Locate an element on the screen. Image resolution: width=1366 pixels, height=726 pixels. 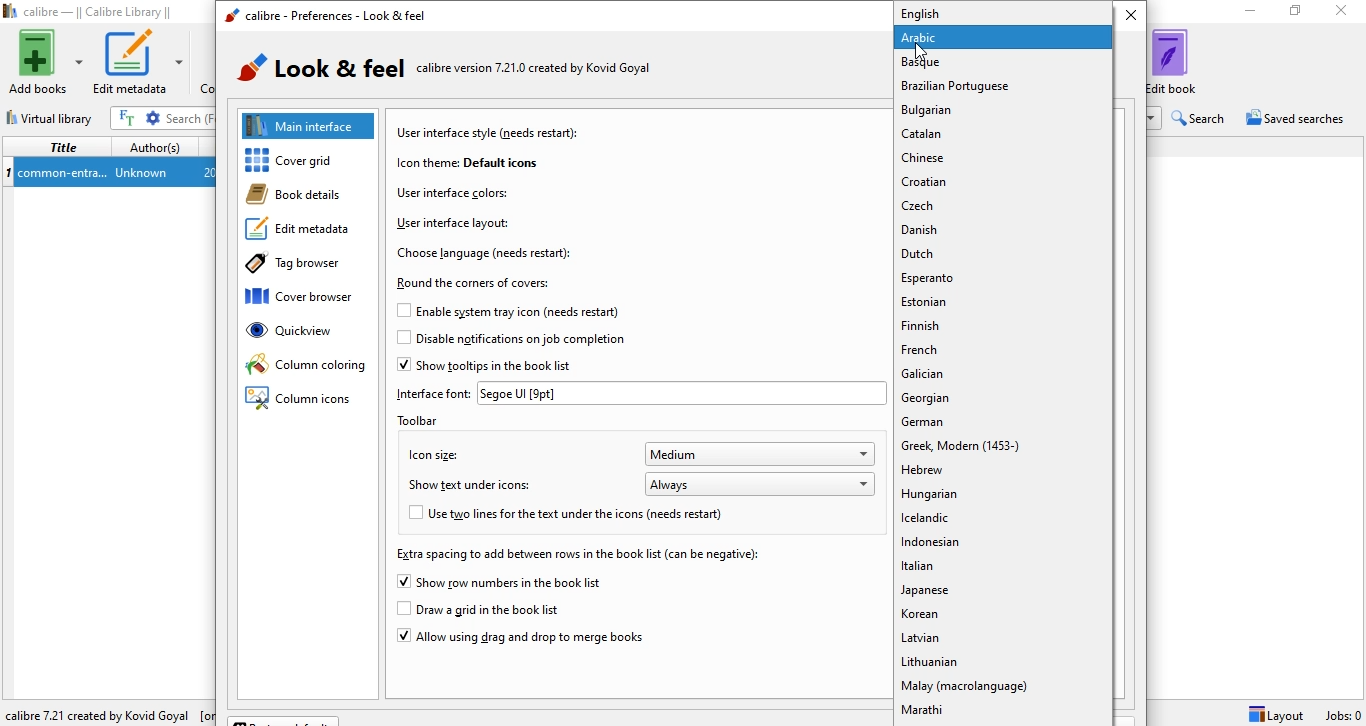
latvian is located at coordinates (1004, 640).